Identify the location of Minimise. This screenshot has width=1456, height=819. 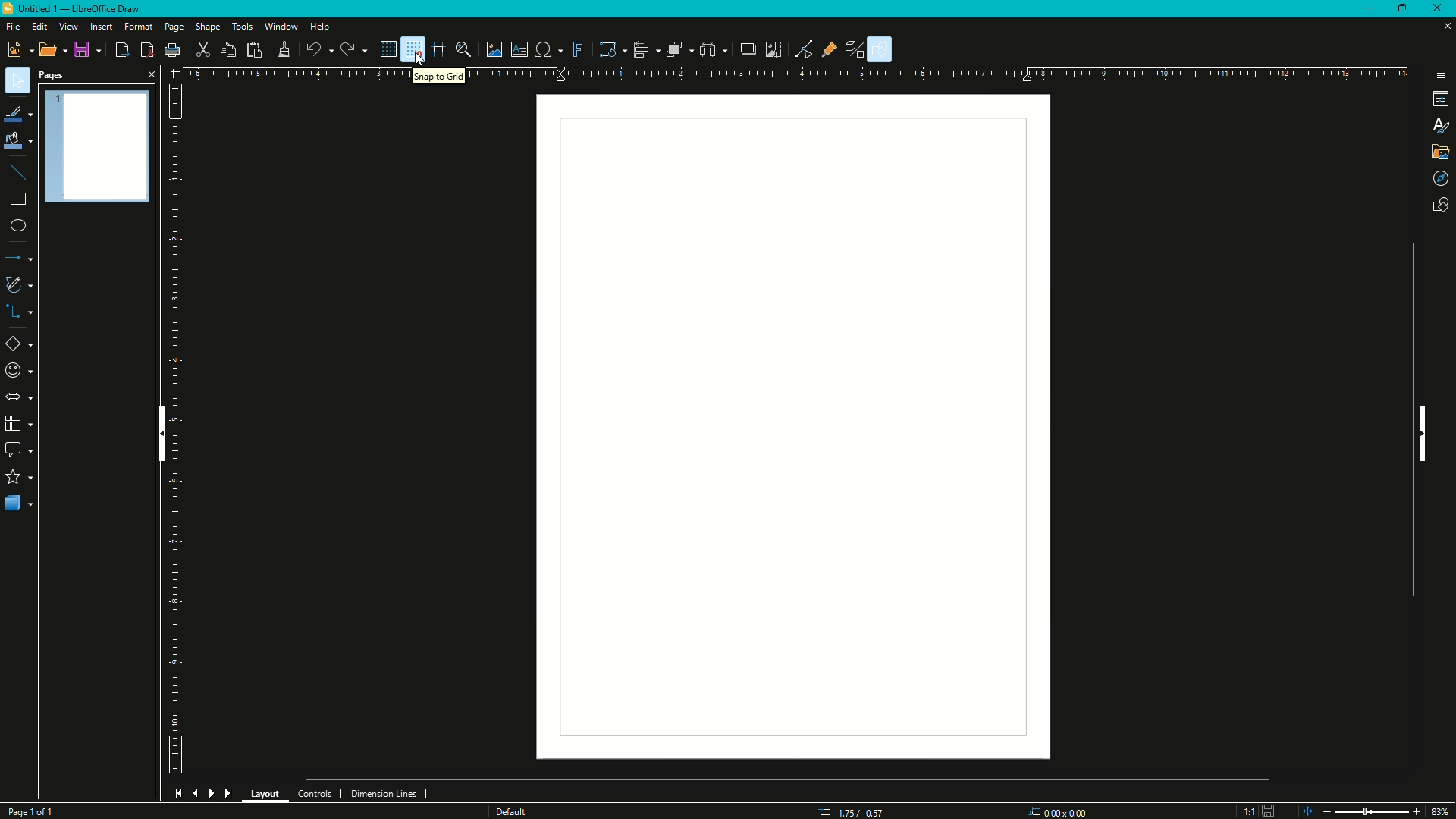
(1365, 9).